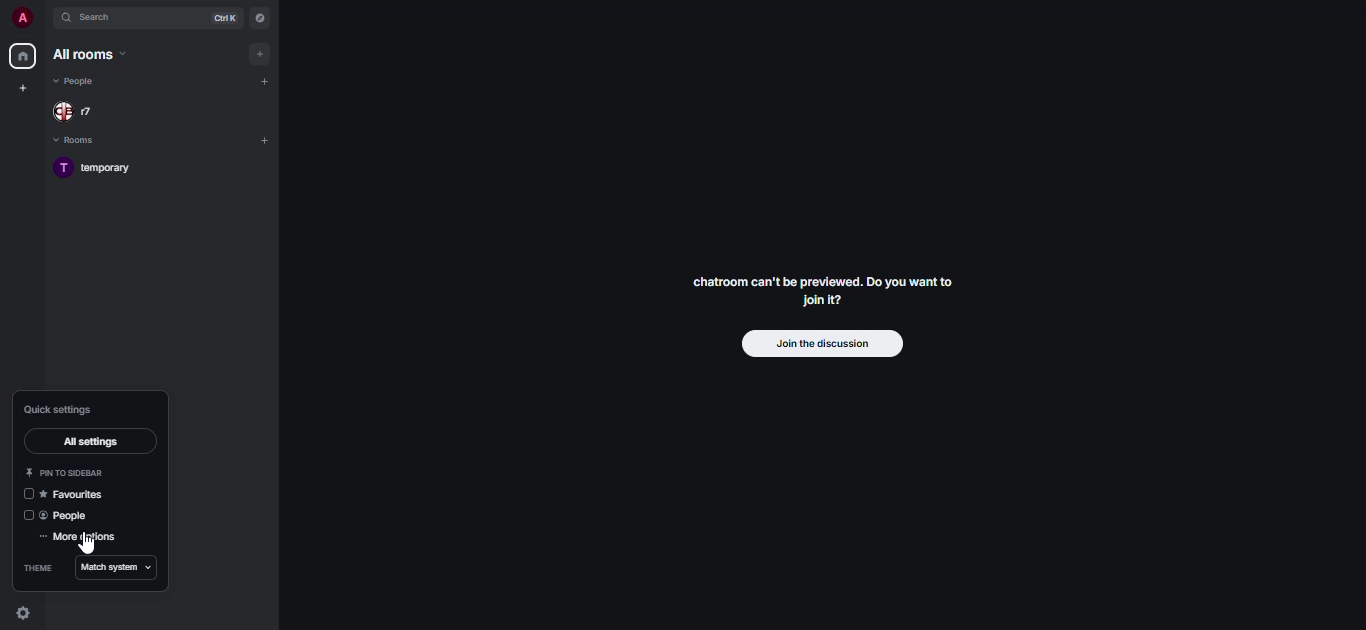 This screenshot has height=630, width=1366. What do you see at coordinates (266, 81) in the screenshot?
I see `add` at bounding box center [266, 81].